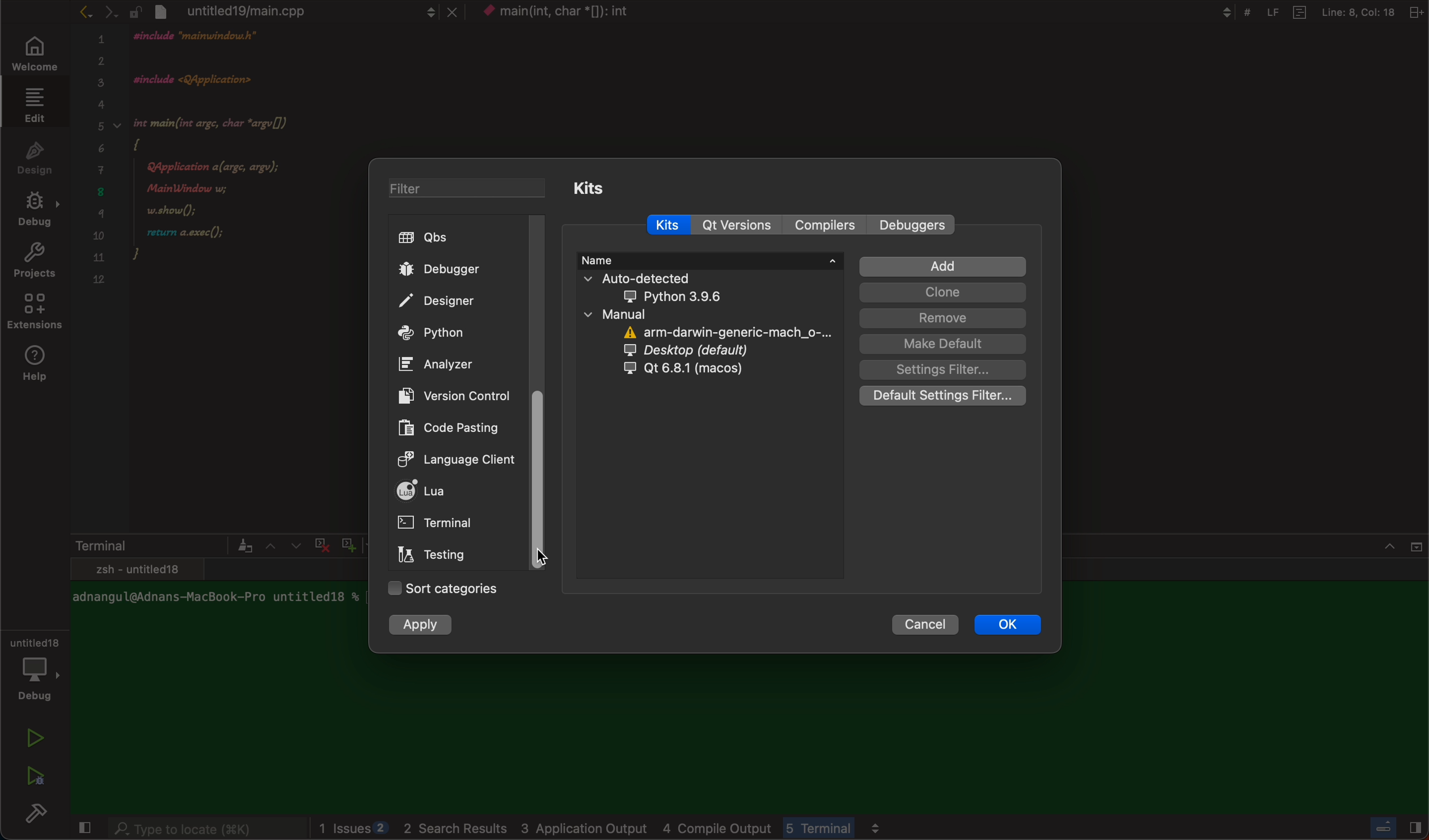 This screenshot has width=1429, height=840. What do you see at coordinates (236, 171) in the screenshot?
I see `code` at bounding box center [236, 171].